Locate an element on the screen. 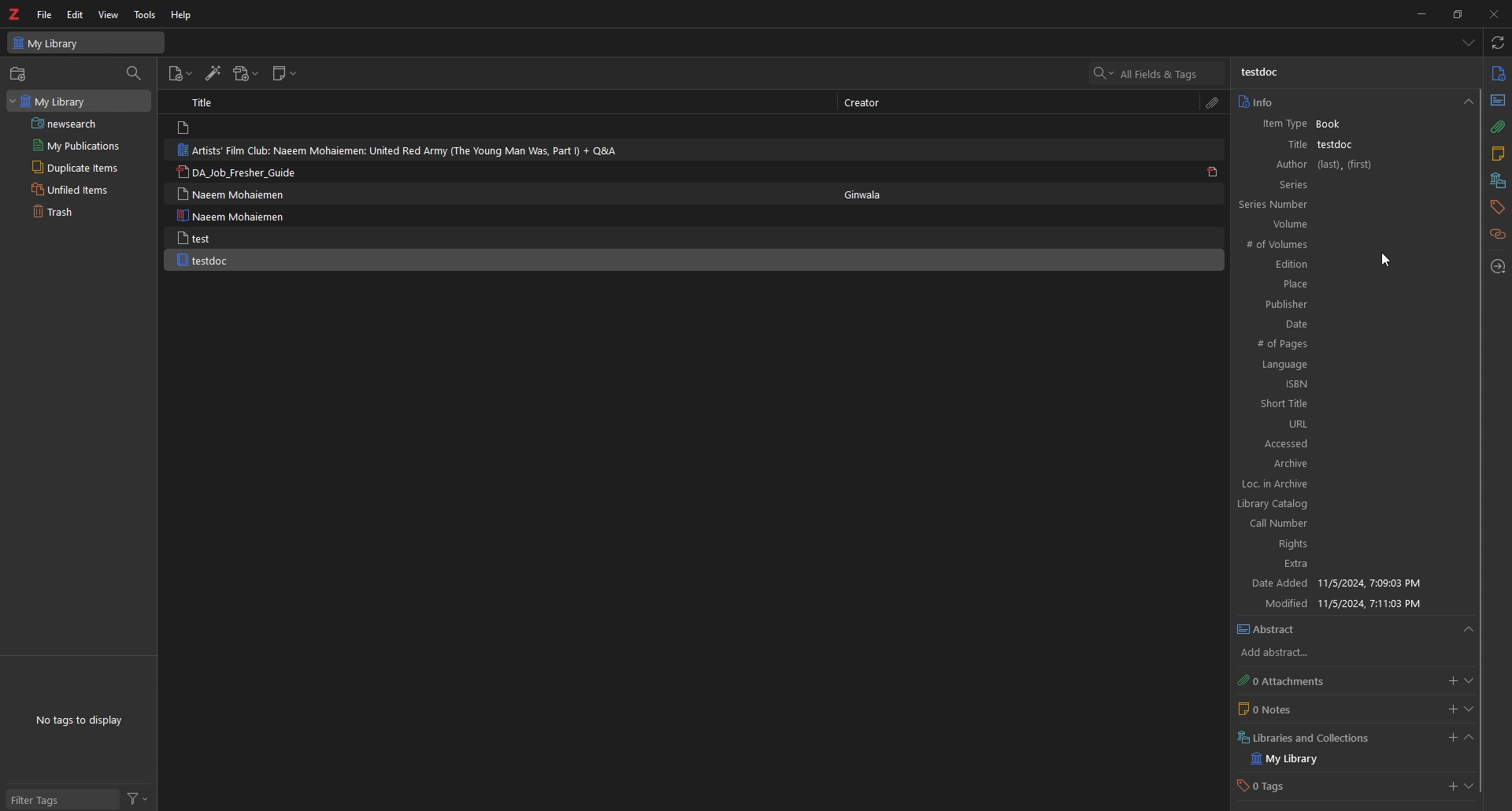 The width and height of the screenshot is (1512, 811). logo is located at coordinates (15, 13).